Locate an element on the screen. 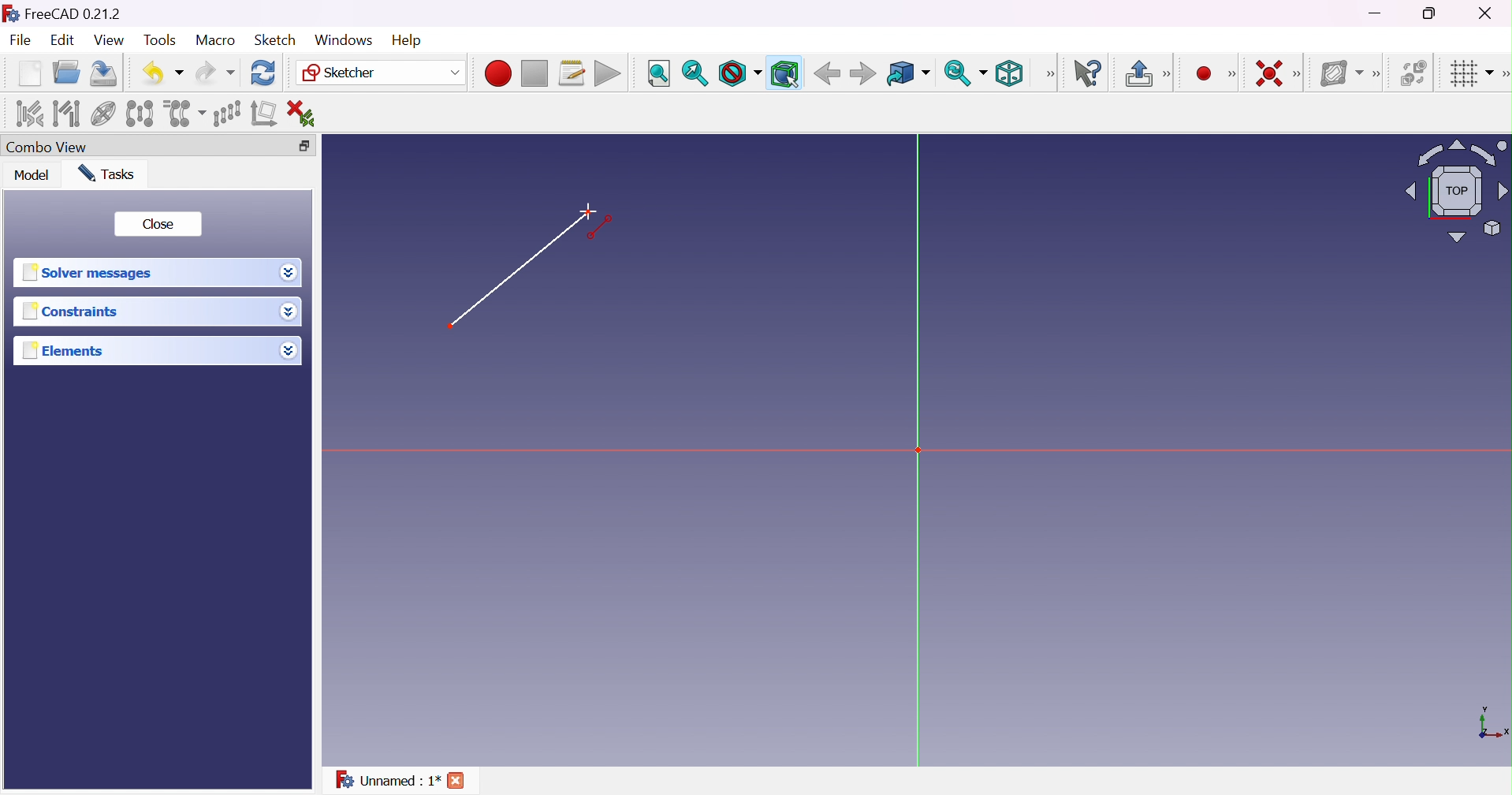  Solver messages is located at coordinates (92, 272).